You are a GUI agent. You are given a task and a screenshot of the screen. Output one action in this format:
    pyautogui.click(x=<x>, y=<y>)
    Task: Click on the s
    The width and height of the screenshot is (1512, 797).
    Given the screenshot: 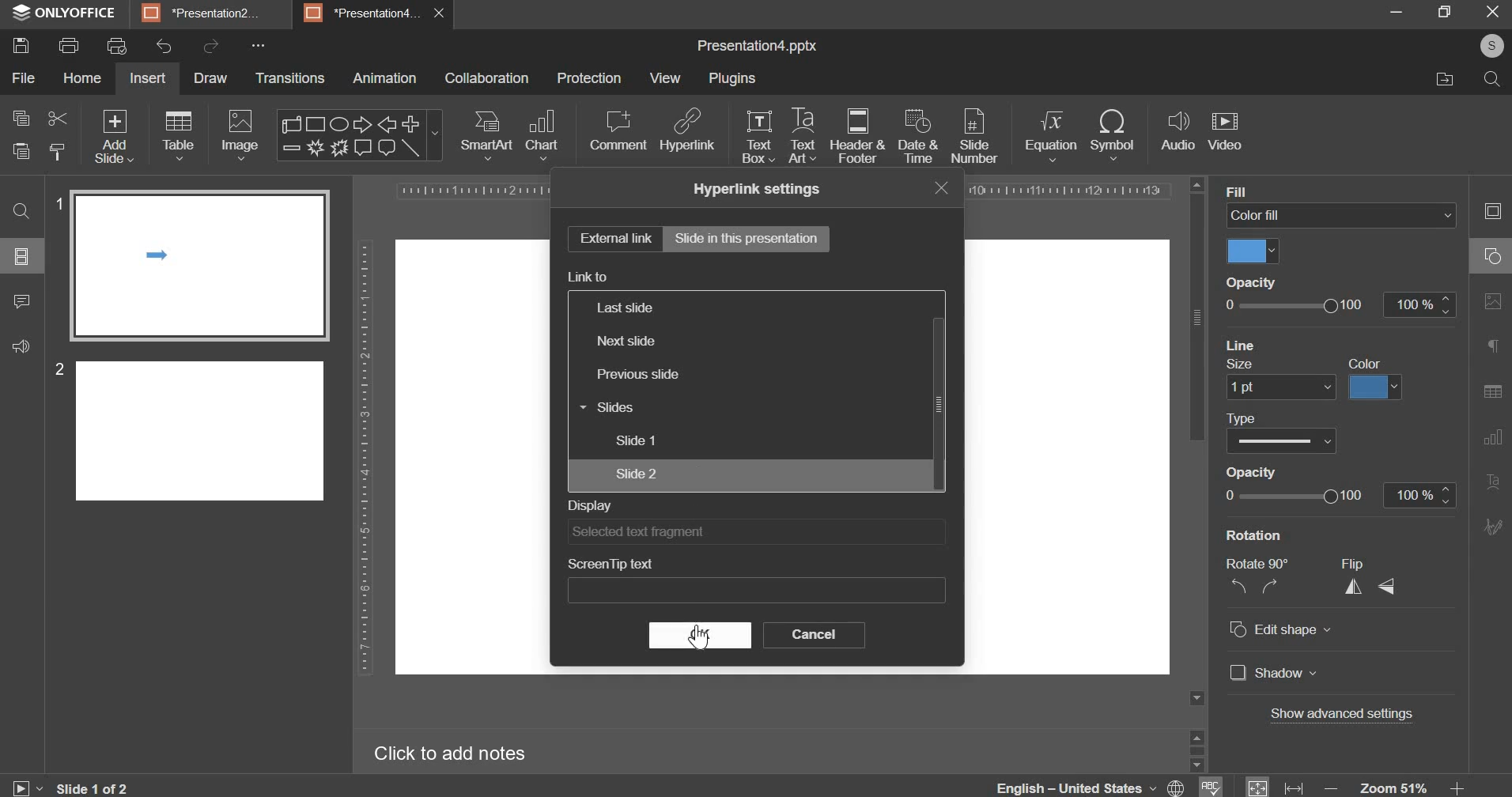 What is the action you would take?
    pyautogui.click(x=1495, y=46)
    